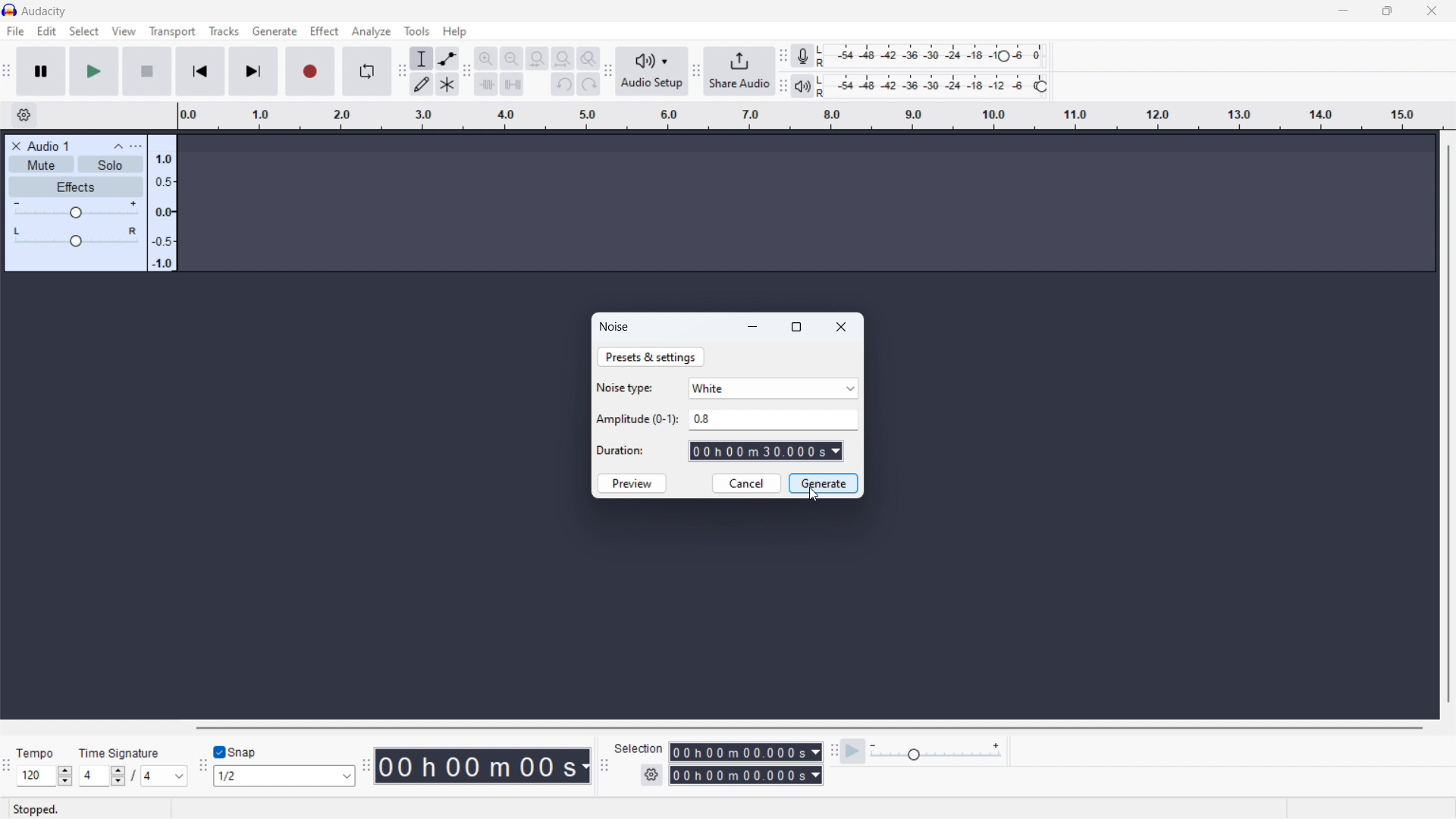  What do you see at coordinates (200, 71) in the screenshot?
I see `skip to the start` at bounding box center [200, 71].